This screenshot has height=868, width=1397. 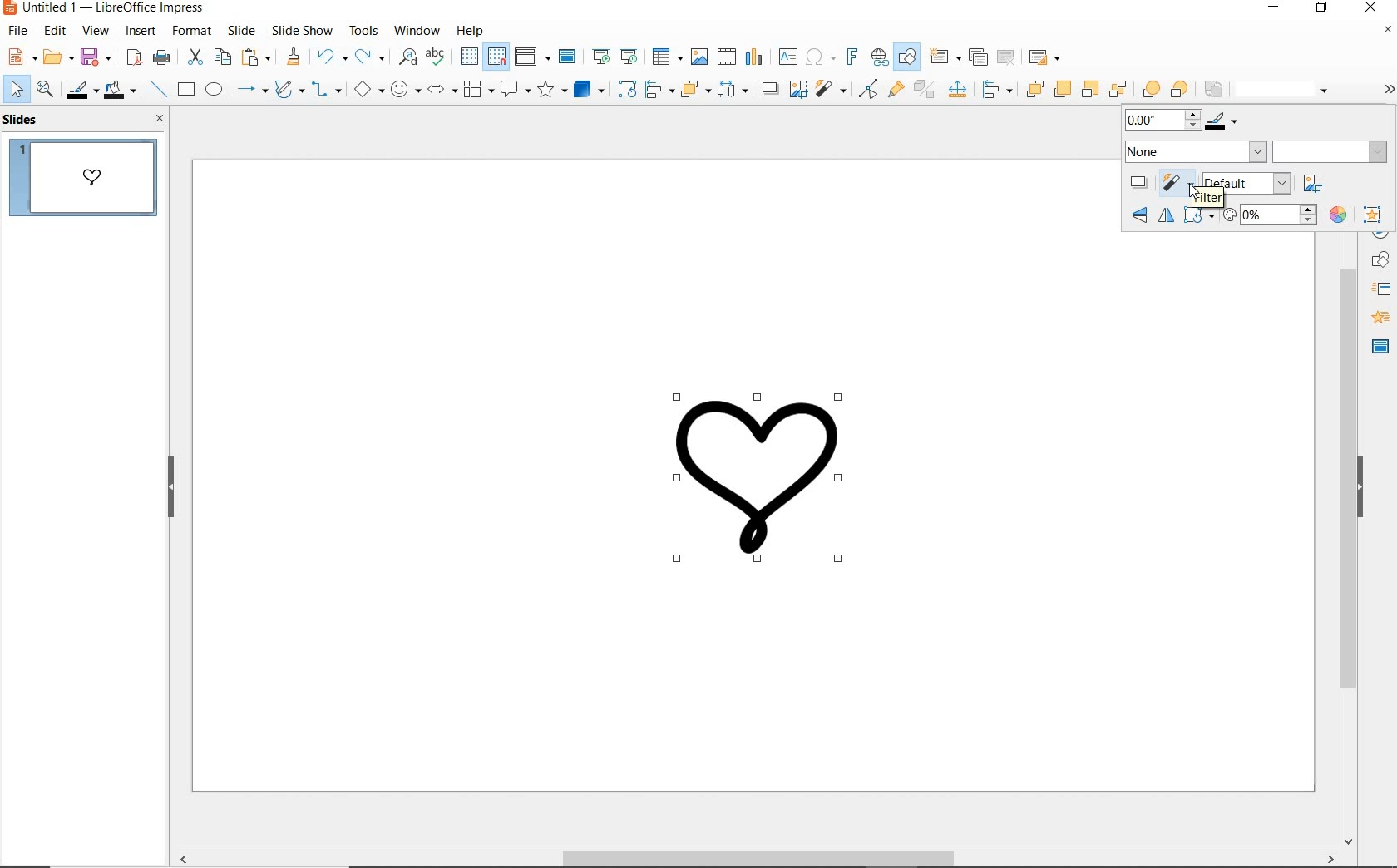 I want to click on CLOSE, so click(x=160, y=118).